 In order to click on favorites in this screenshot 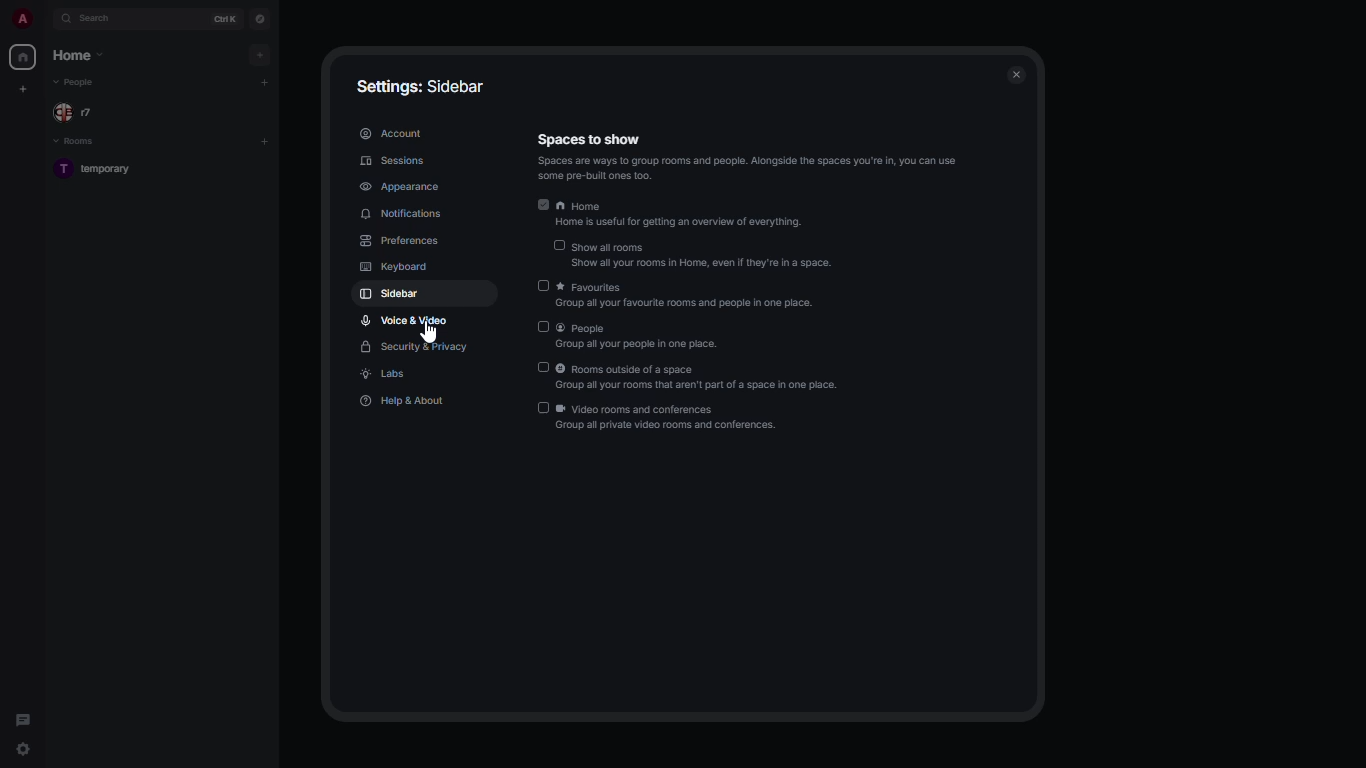, I will do `click(686, 296)`.